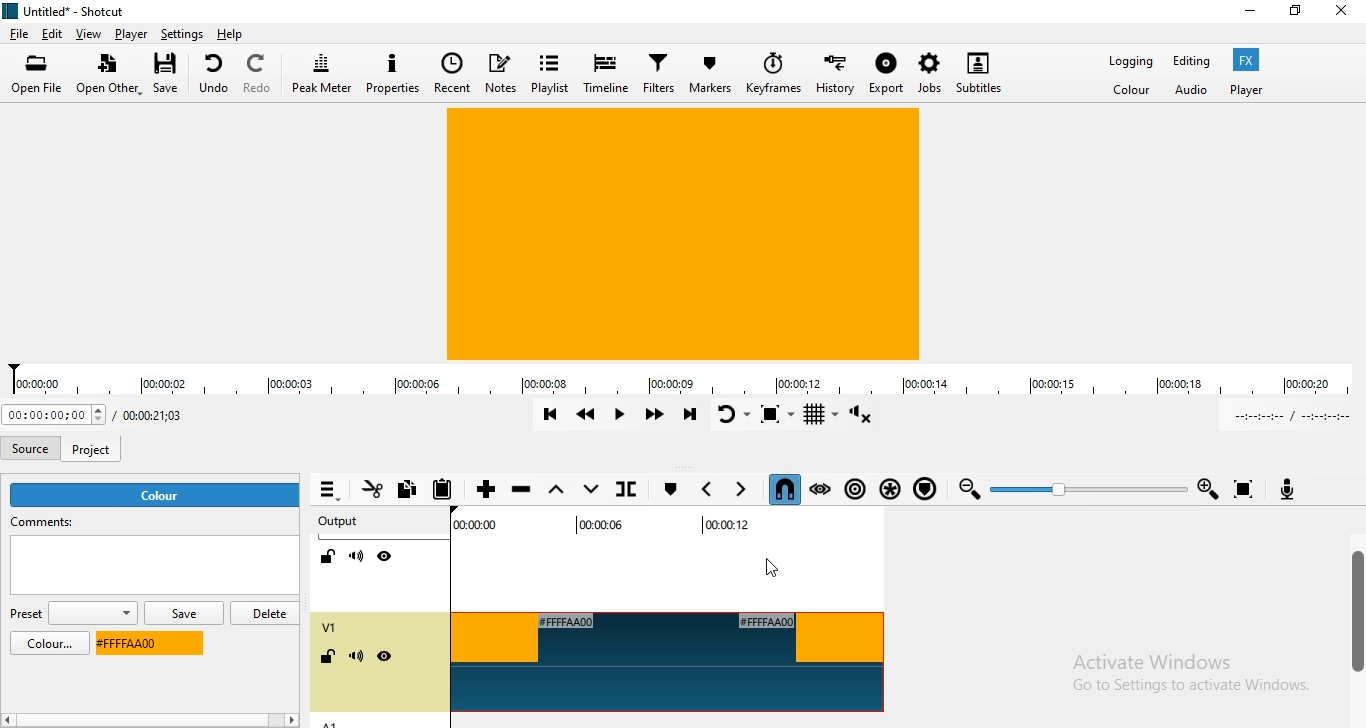 The width and height of the screenshot is (1366, 728). I want to click on History, so click(837, 74).